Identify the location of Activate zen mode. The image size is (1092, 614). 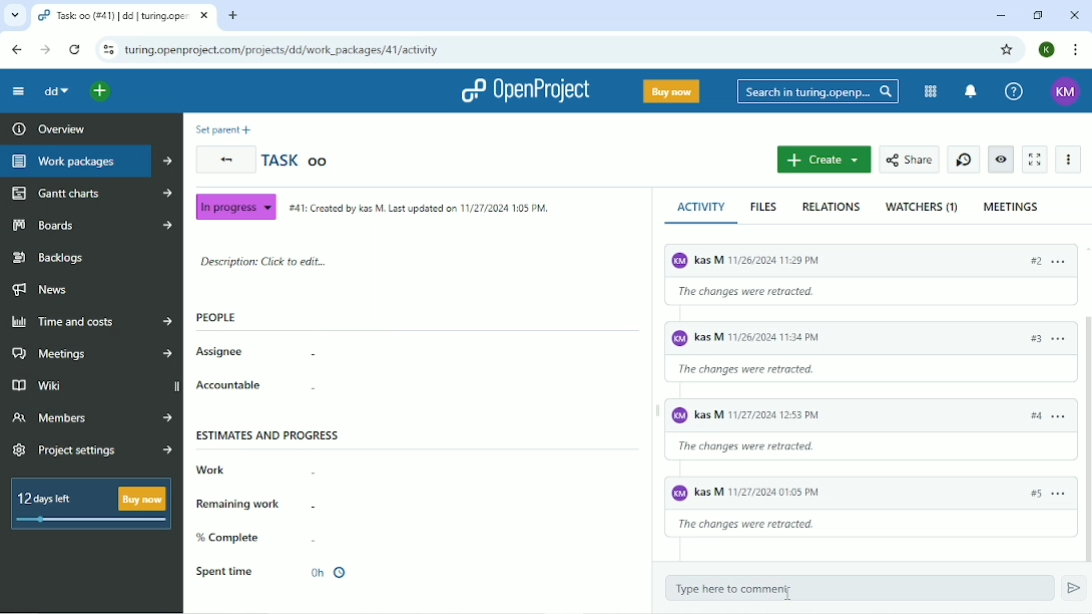
(1037, 159).